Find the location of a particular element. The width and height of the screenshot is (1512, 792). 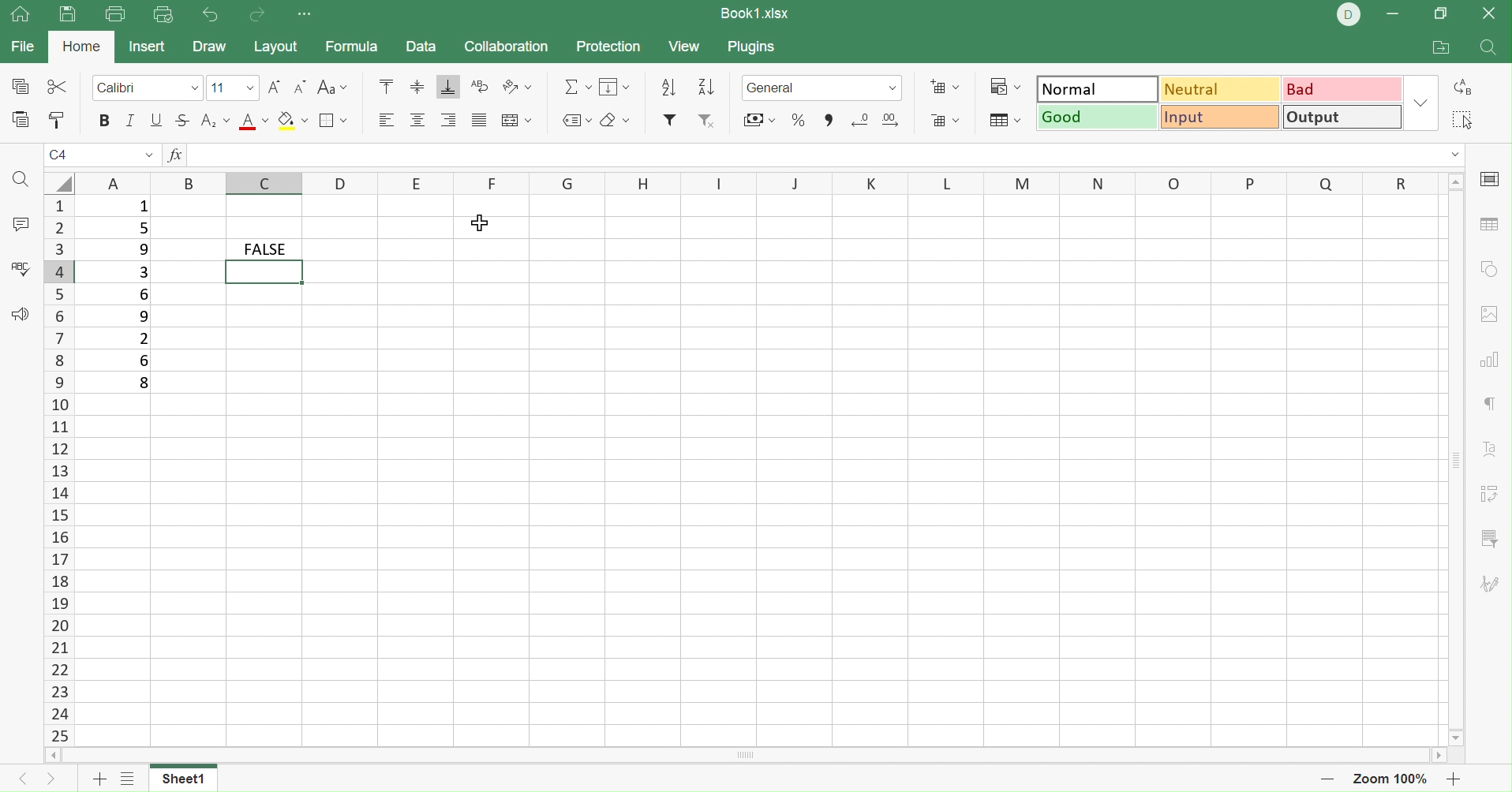

Restore down is located at coordinates (1441, 15).